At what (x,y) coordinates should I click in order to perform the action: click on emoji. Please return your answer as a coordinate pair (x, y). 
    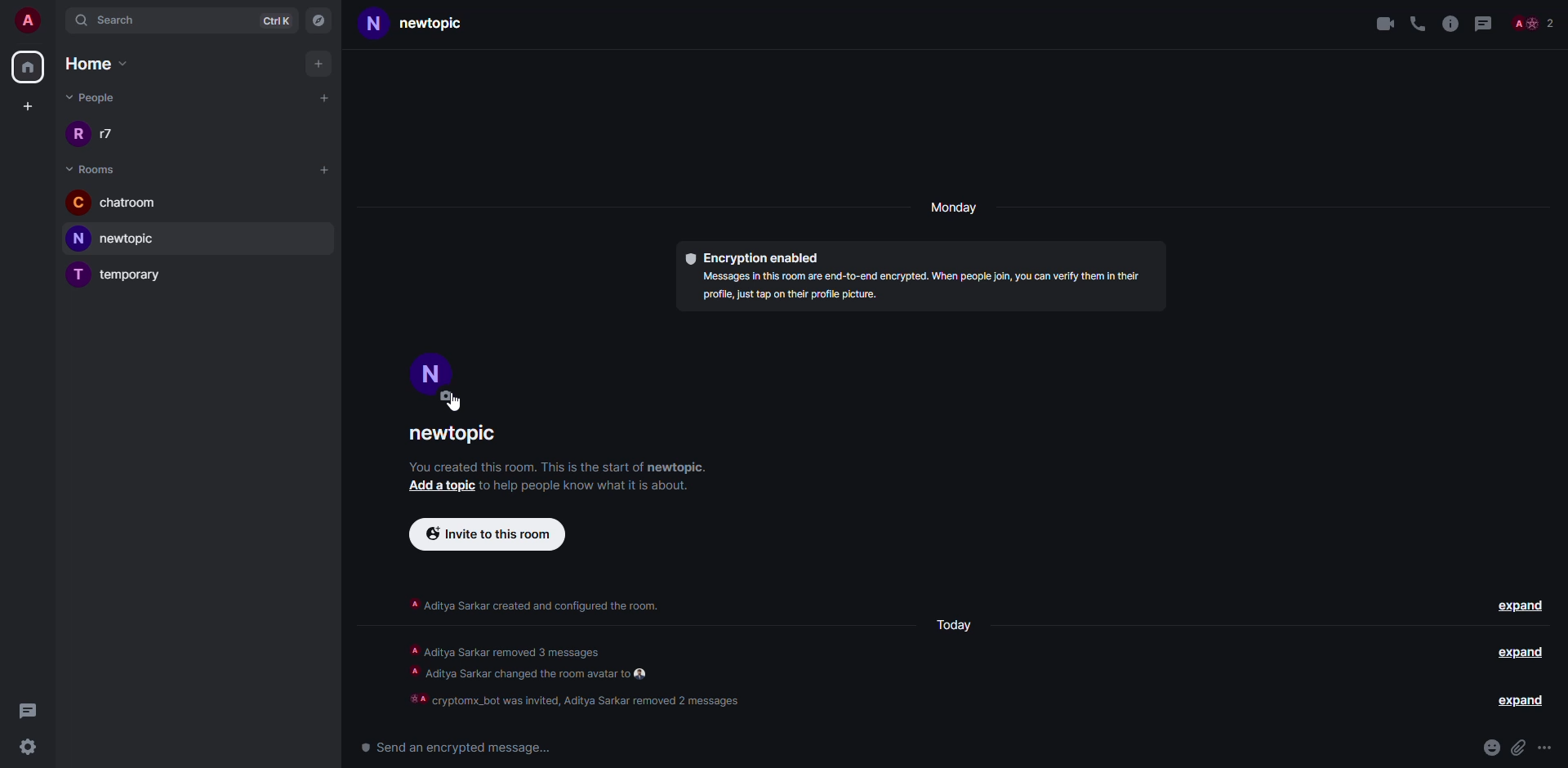
    Looking at the image, I should click on (1492, 748).